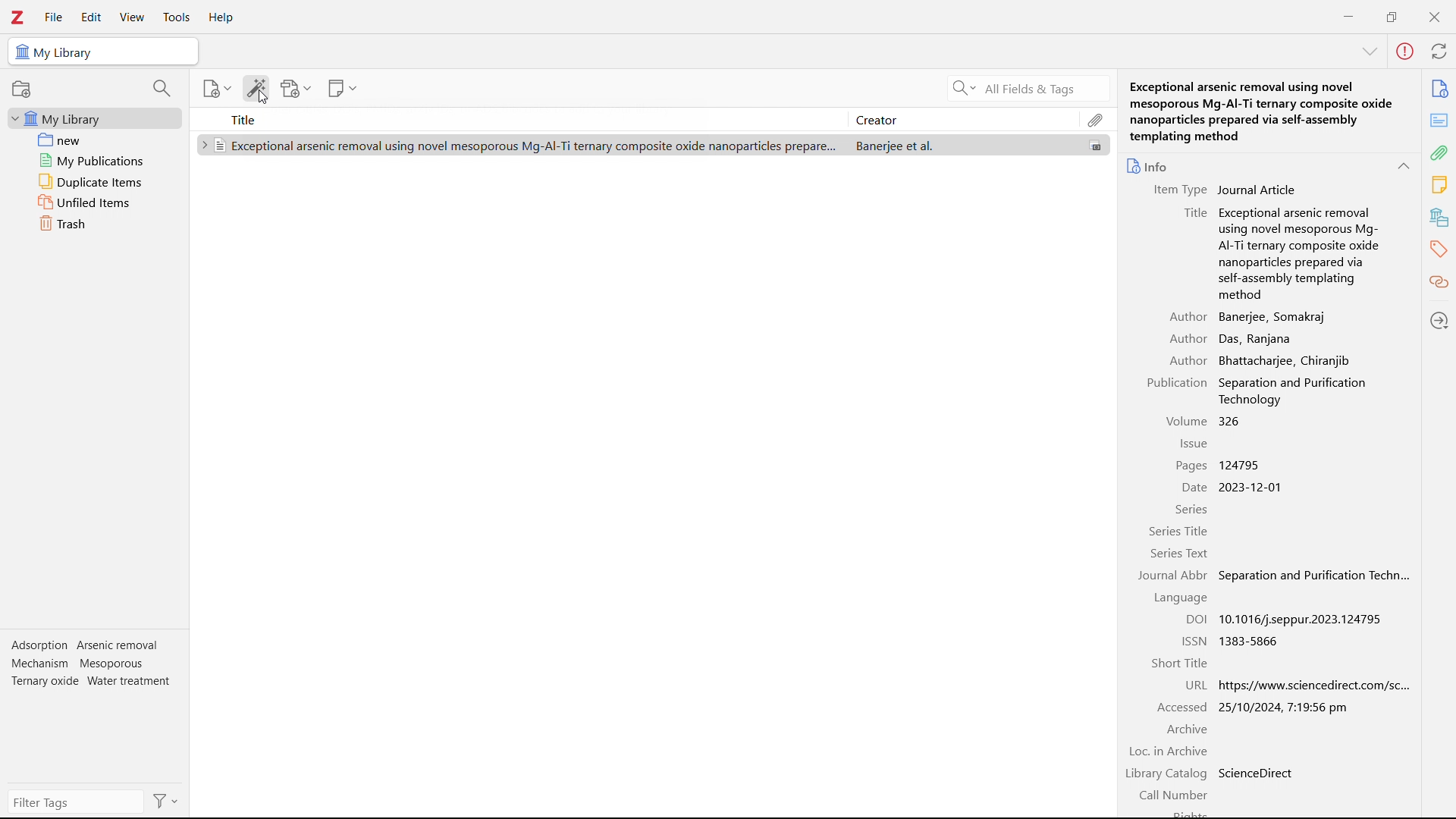 The width and height of the screenshot is (1456, 819). What do you see at coordinates (95, 202) in the screenshot?
I see `unfiled items` at bounding box center [95, 202].